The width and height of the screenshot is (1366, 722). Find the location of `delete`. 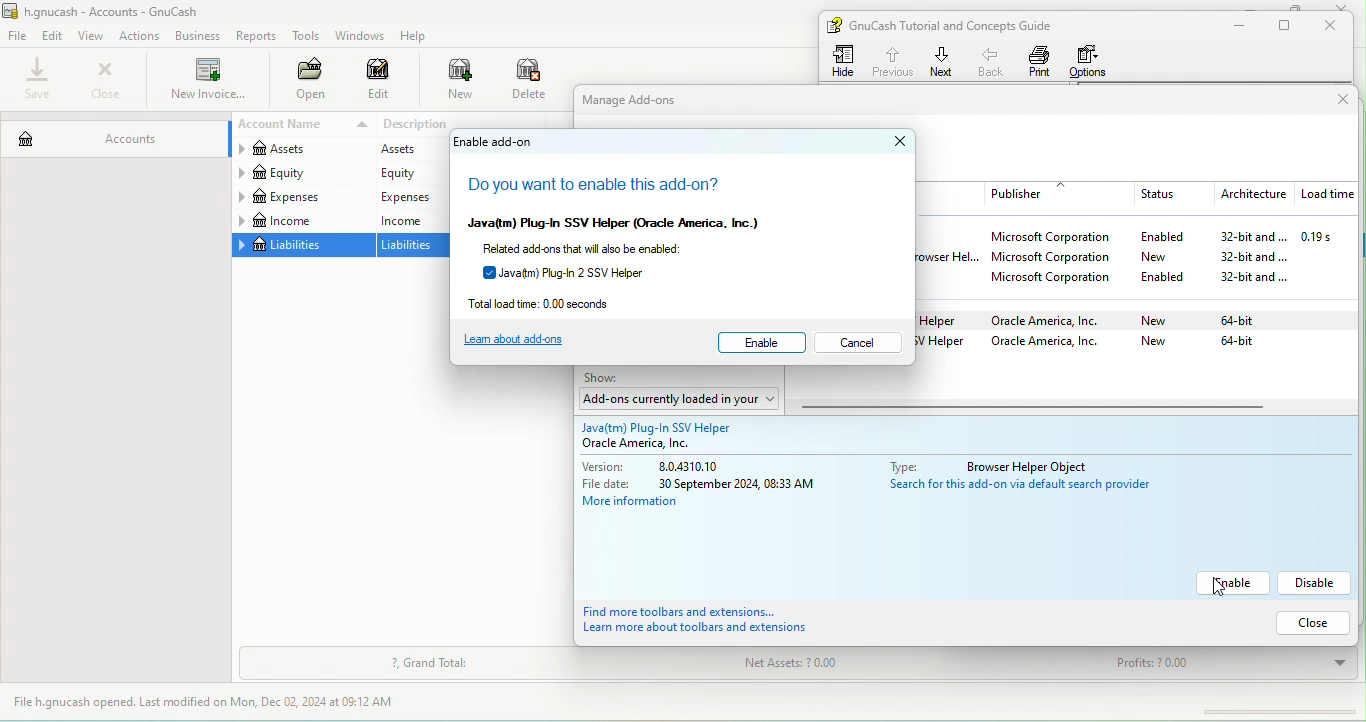

delete is located at coordinates (531, 81).